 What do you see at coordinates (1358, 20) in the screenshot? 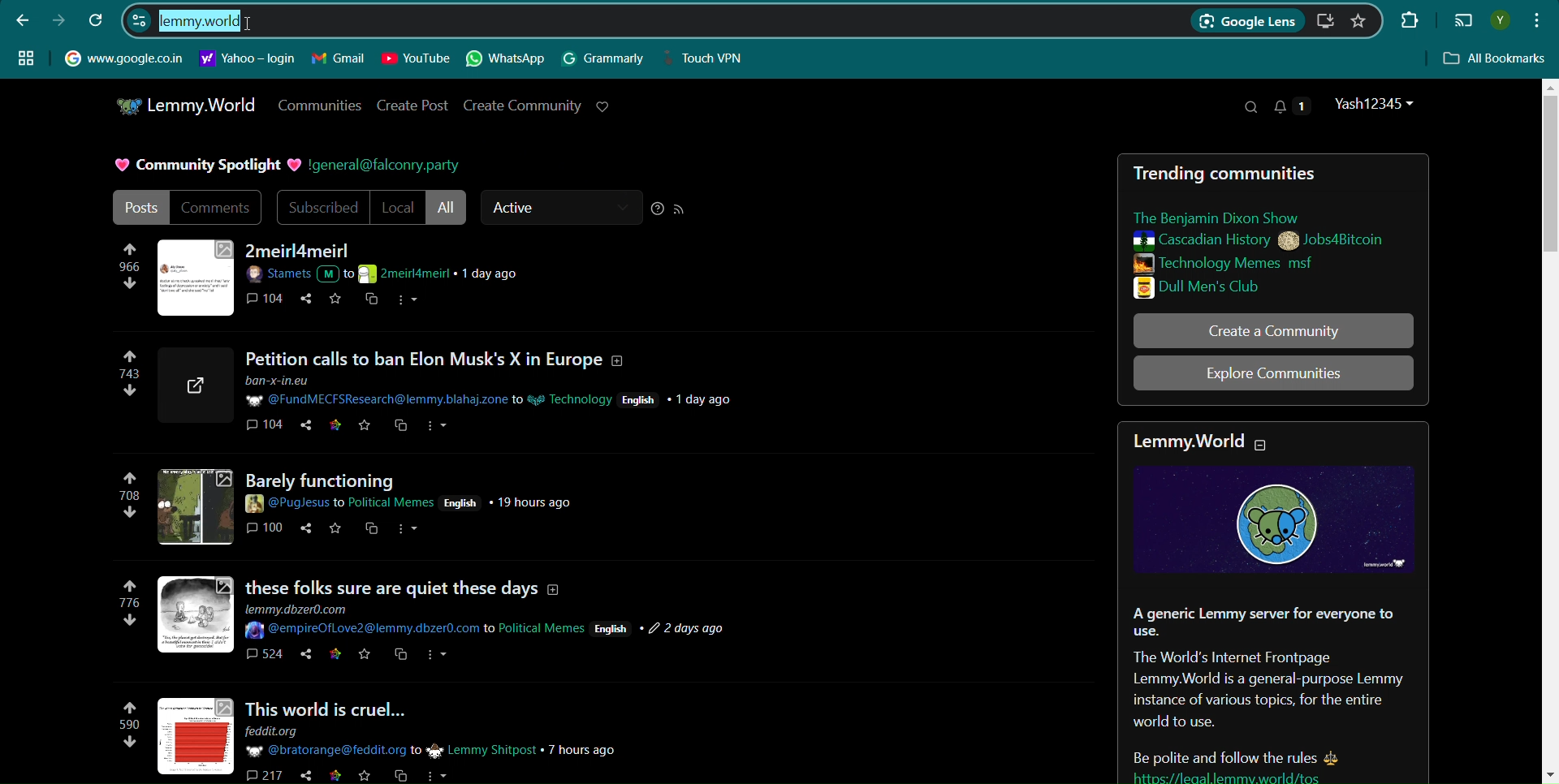
I see `Bookmark this tab` at bounding box center [1358, 20].